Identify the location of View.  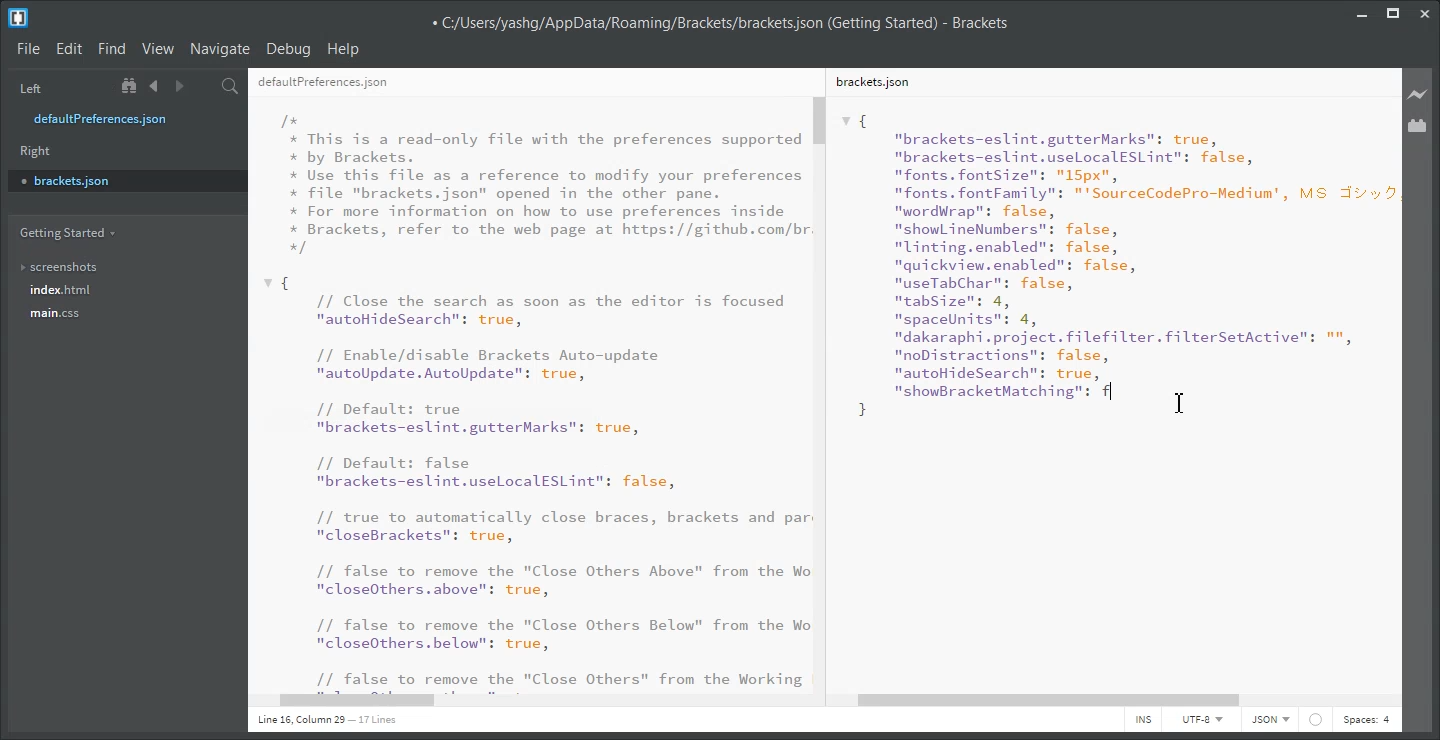
(158, 49).